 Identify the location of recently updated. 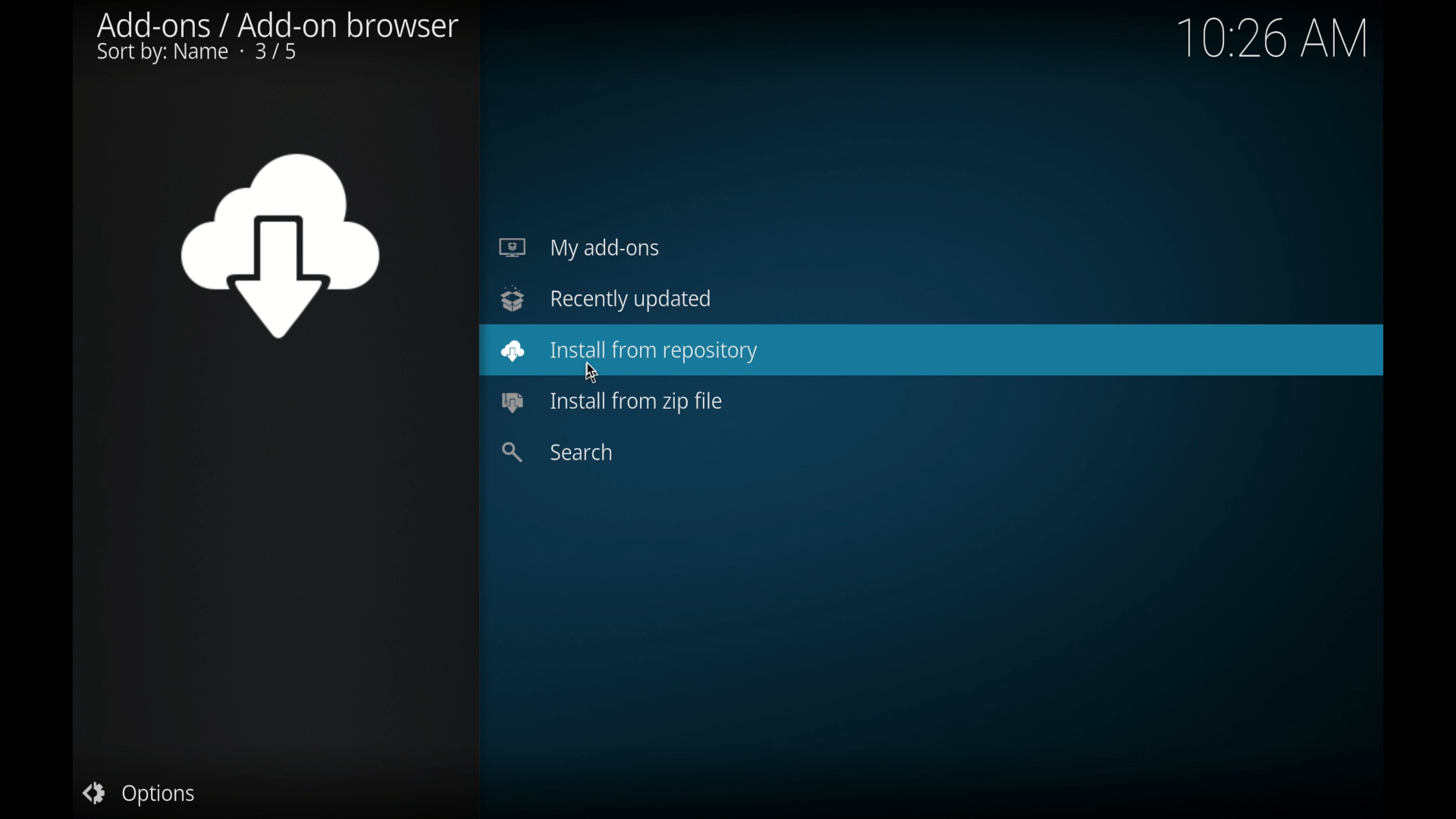
(606, 299).